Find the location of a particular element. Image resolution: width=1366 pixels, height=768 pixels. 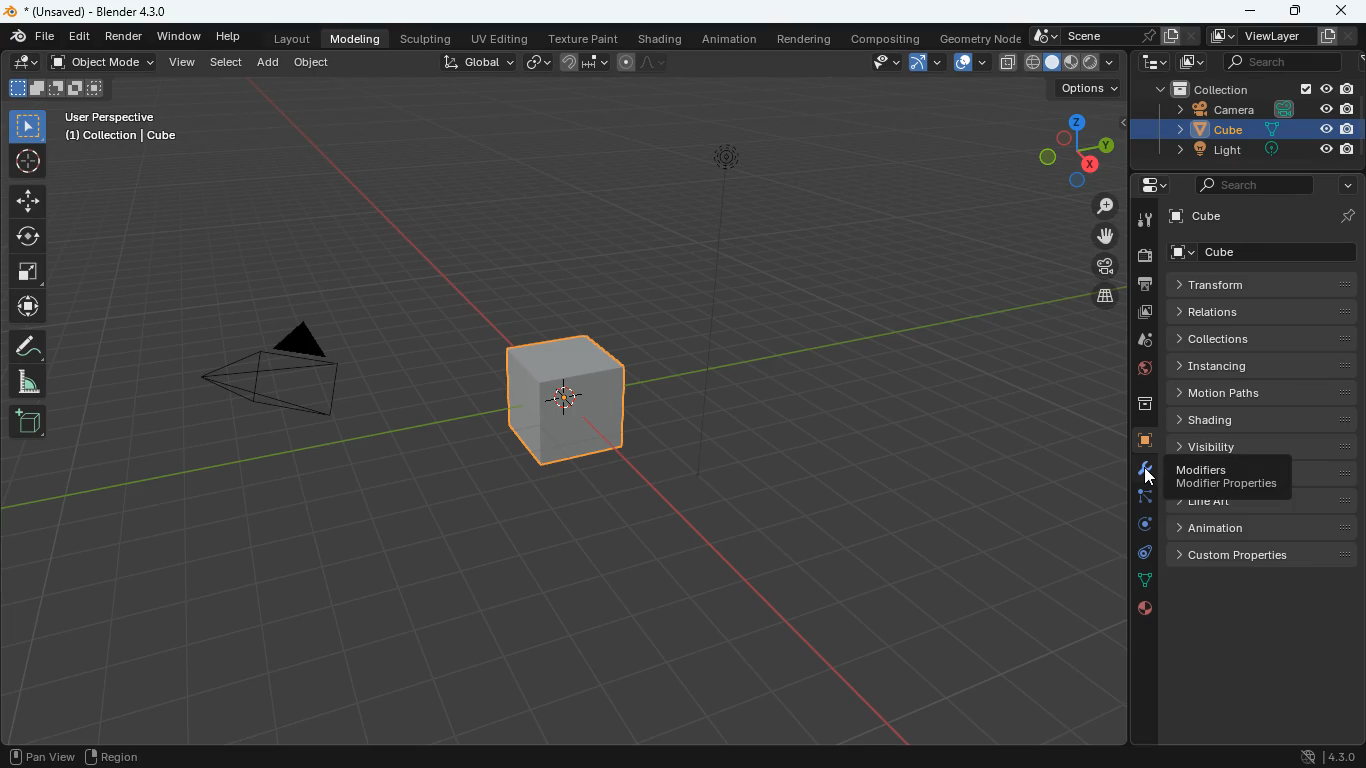

transform is located at coordinates (1267, 285).